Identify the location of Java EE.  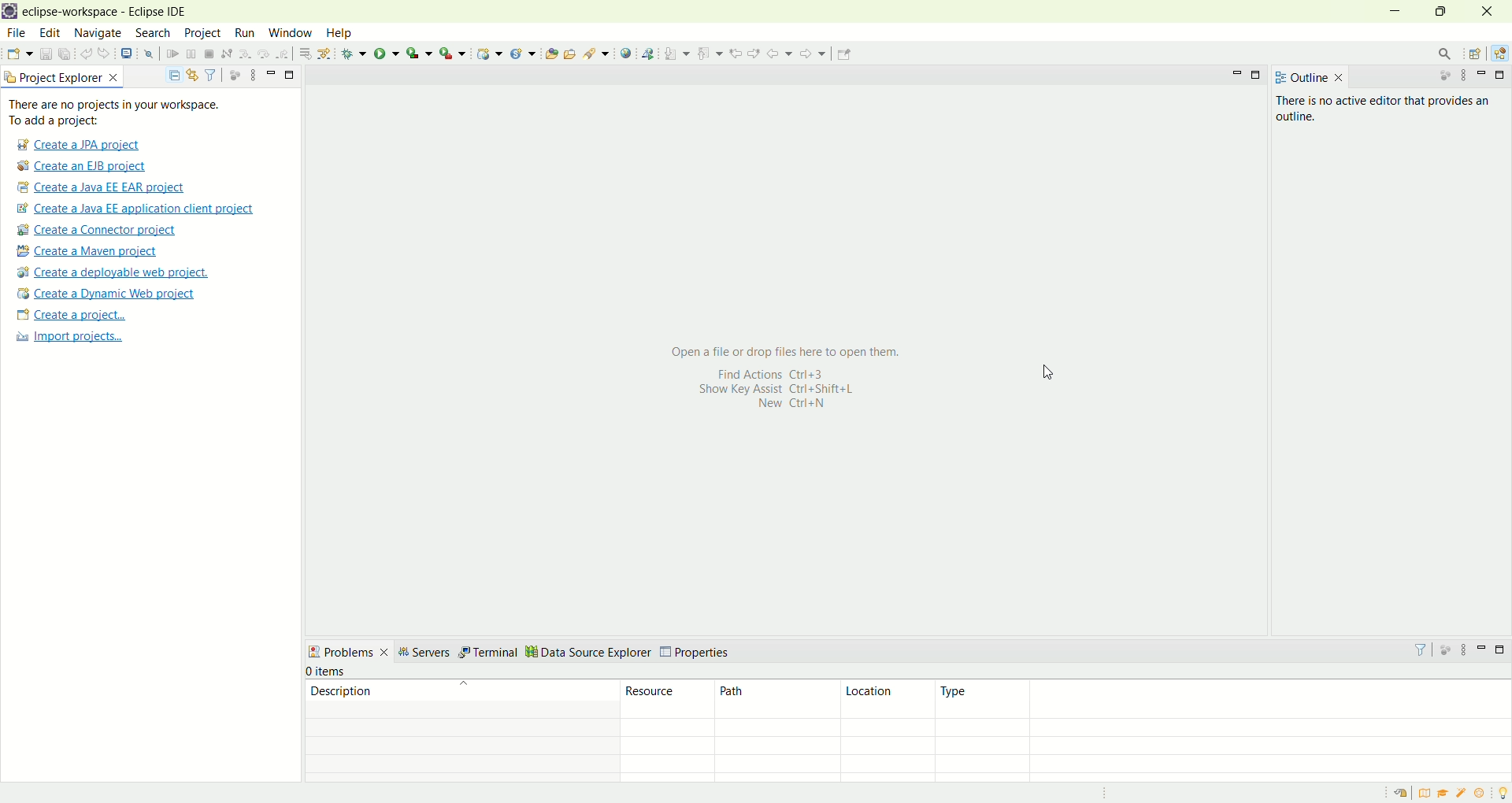
(1500, 54).